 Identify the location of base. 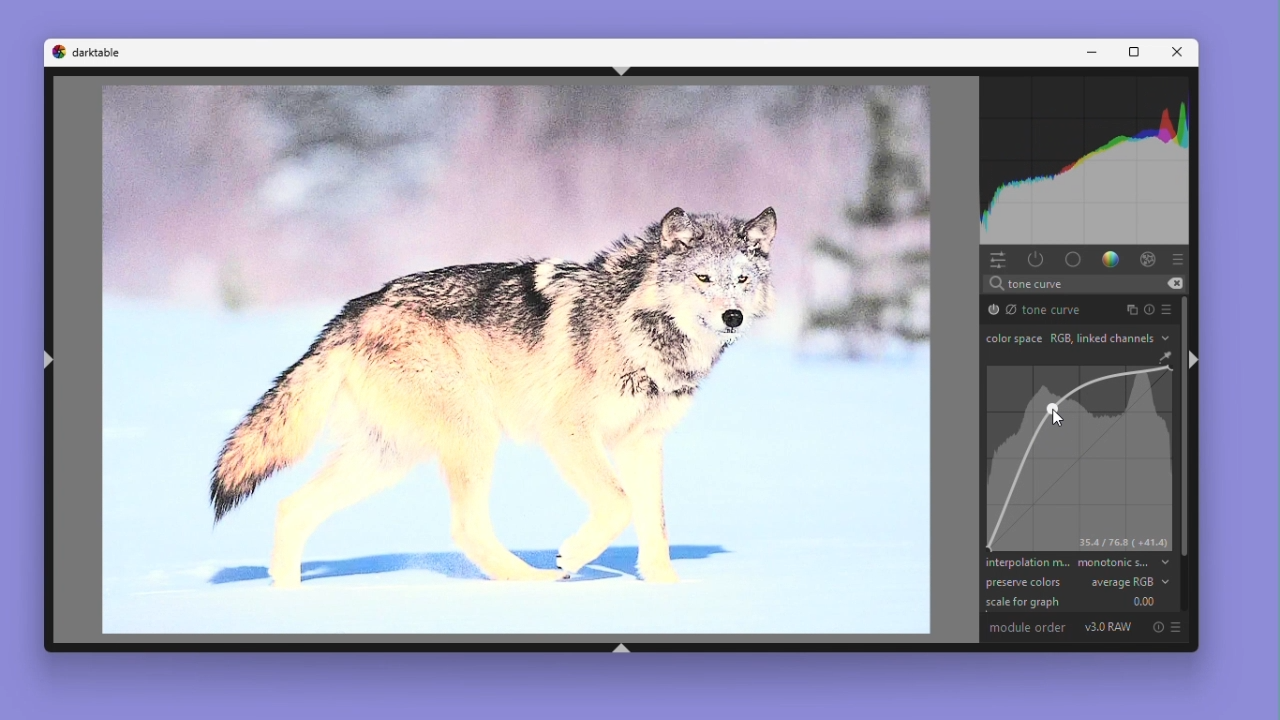
(1073, 259).